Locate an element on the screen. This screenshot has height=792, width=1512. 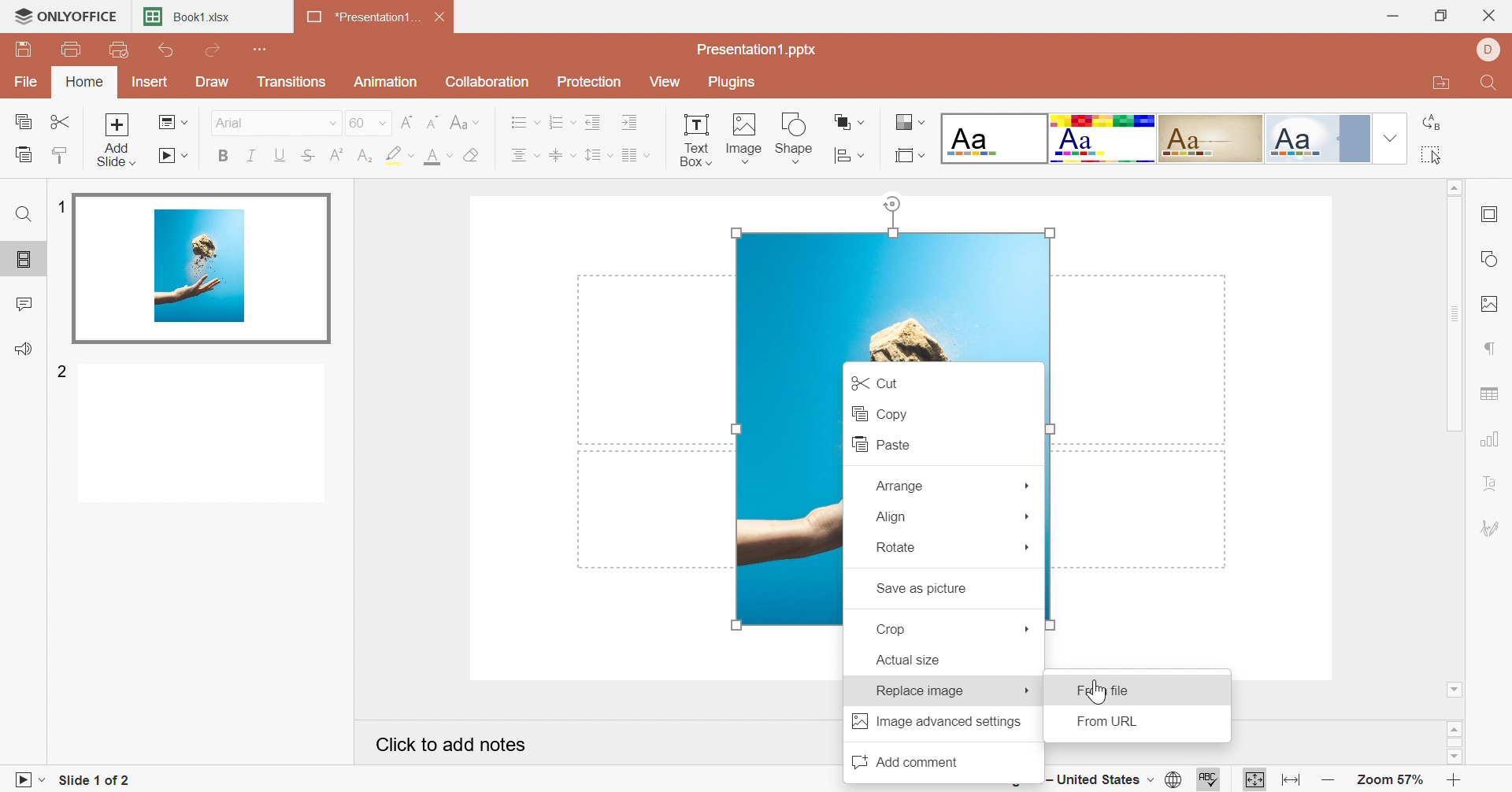
Image advanced settings is located at coordinates (936, 722).